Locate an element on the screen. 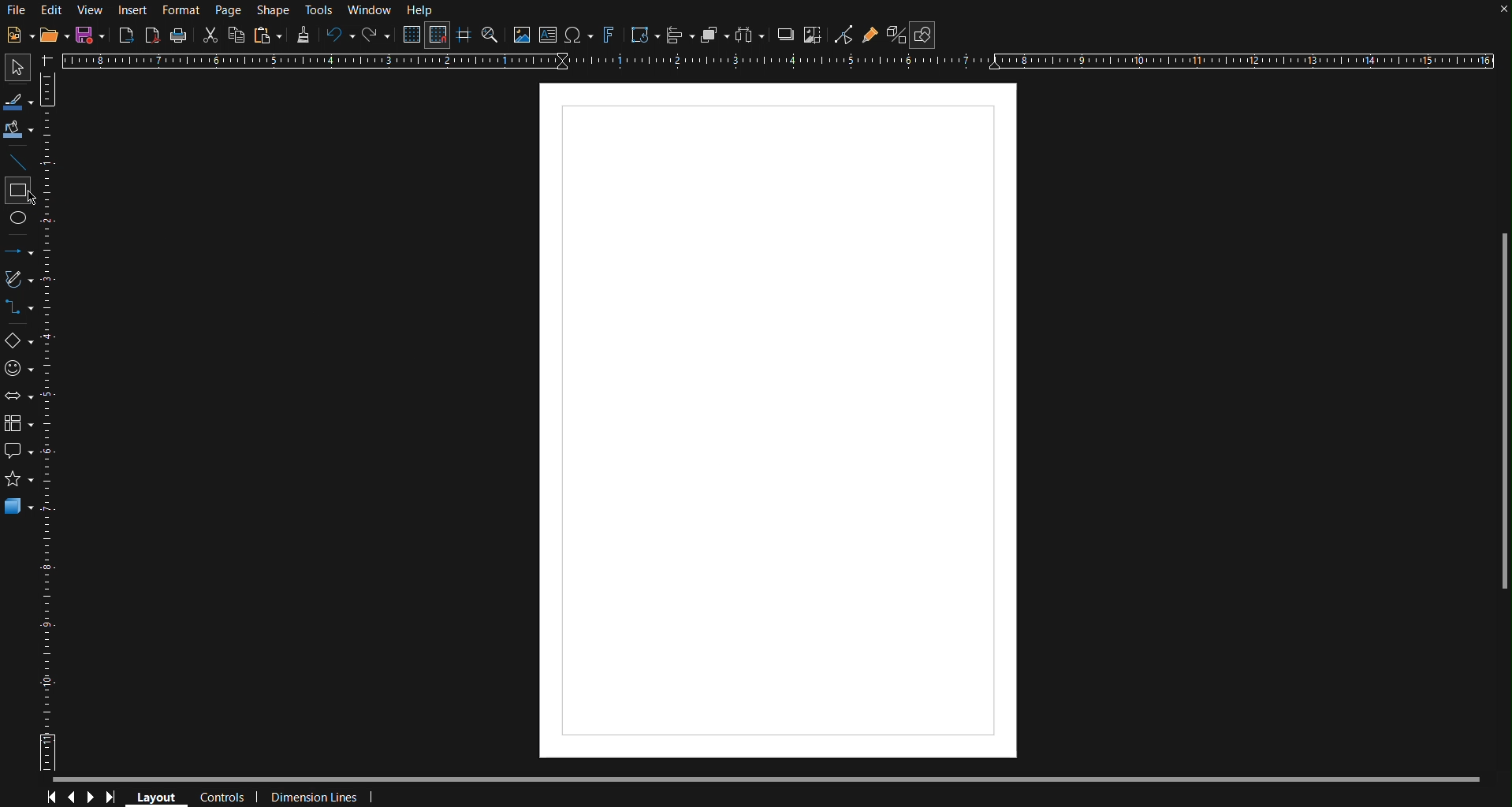  Toggle Point Edit Mode is located at coordinates (844, 35).